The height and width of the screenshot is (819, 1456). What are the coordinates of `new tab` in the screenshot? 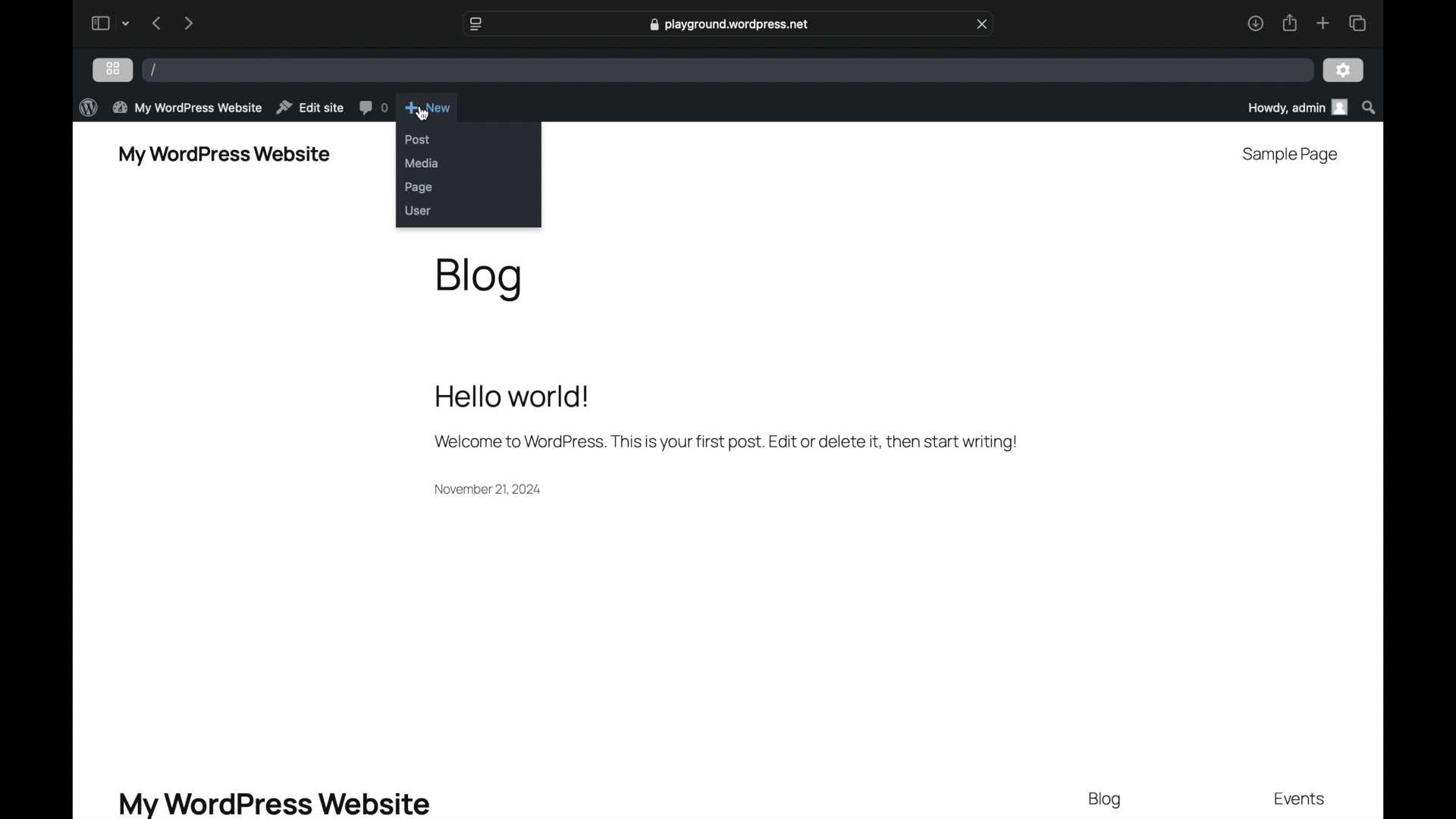 It's located at (1323, 23).